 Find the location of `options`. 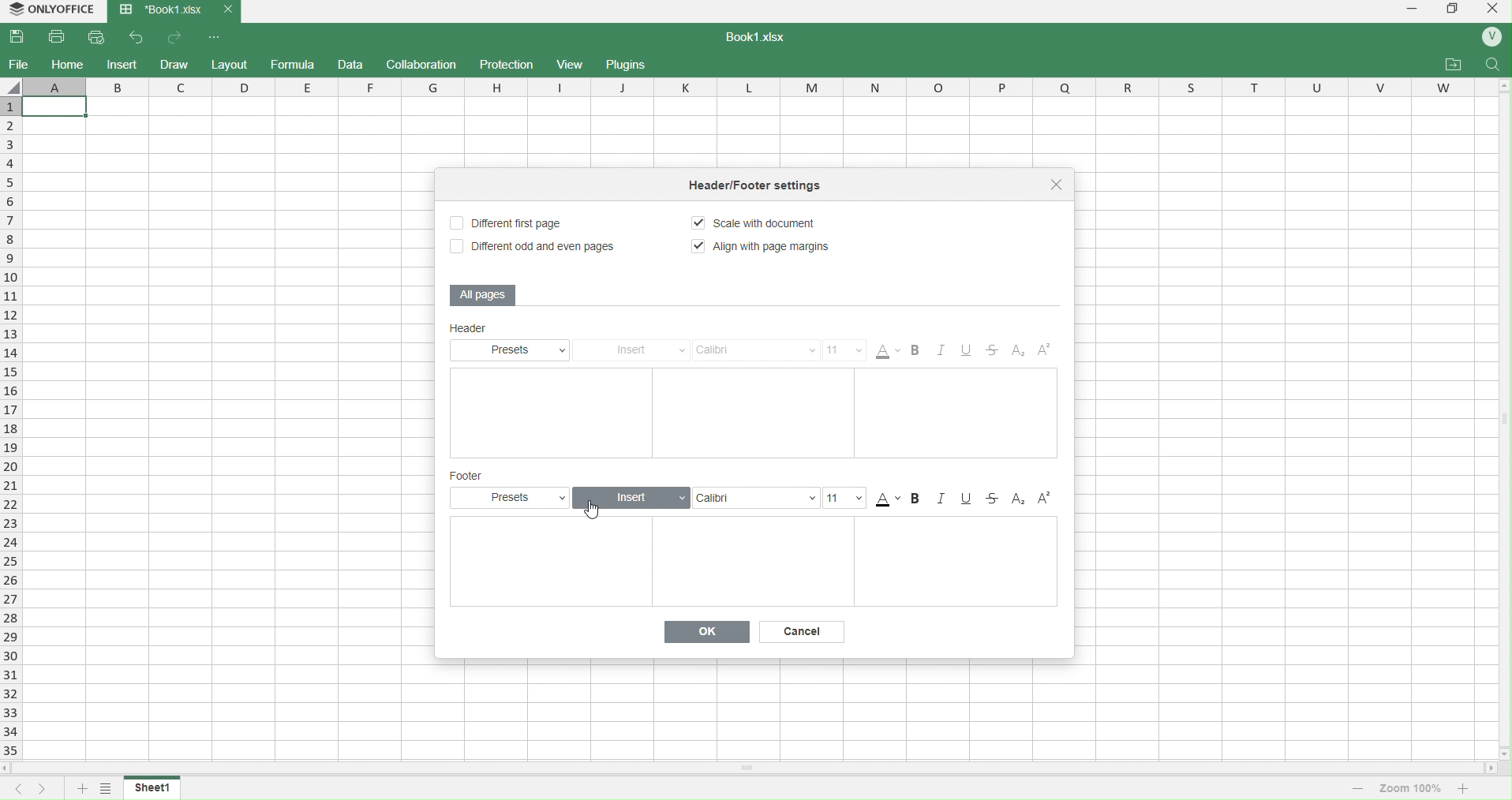

options is located at coordinates (105, 790).